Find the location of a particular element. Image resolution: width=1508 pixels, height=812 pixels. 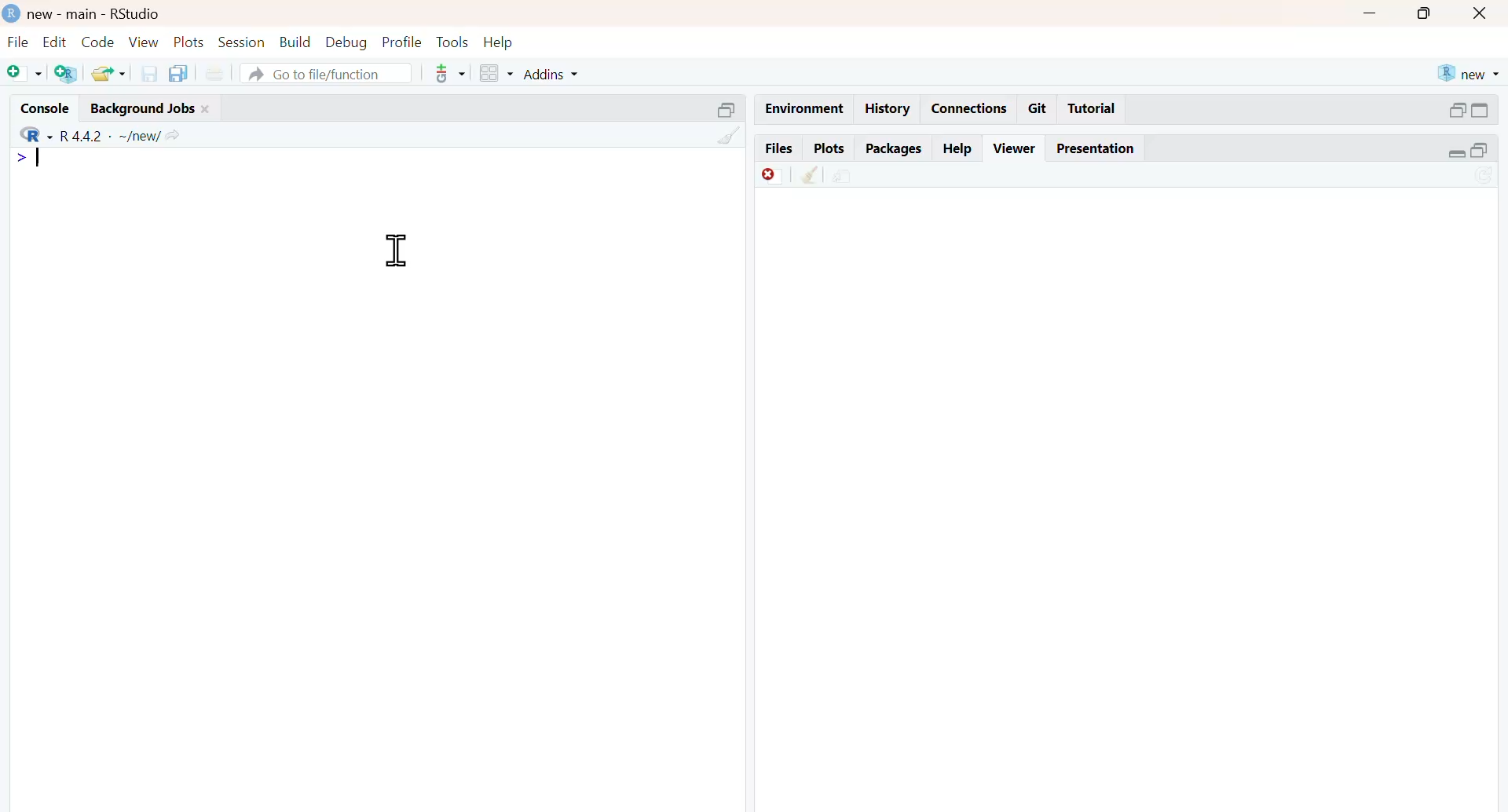

tutorial is located at coordinates (1093, 109).